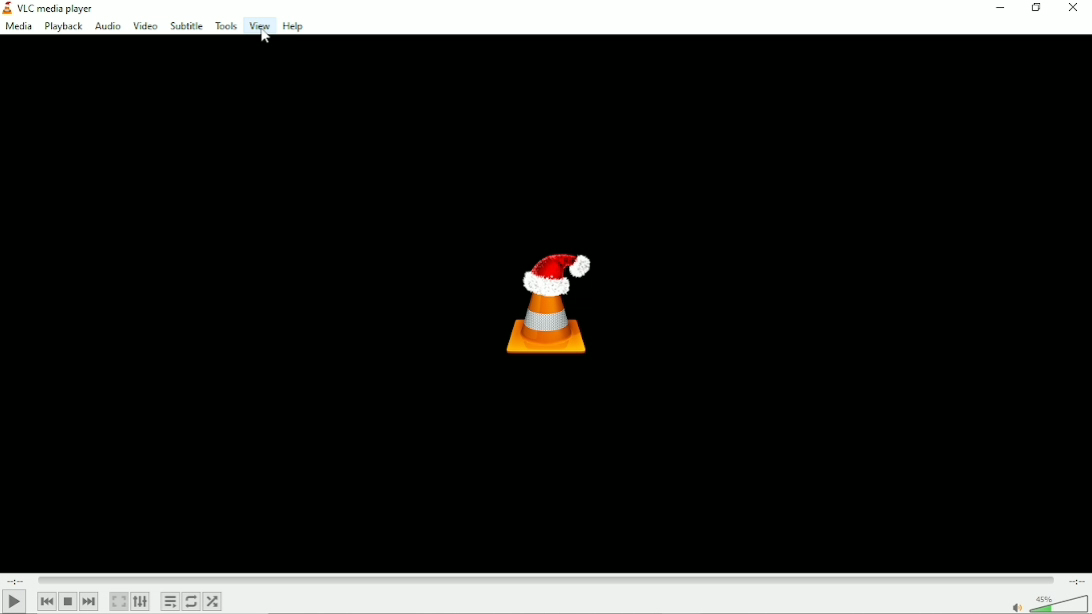 Image resolution: width=1092 pixels, height=614 pixels. What do you see at coordinates (258, 27) in the screenshot?
I see `View` at bounding box center [258, 27].